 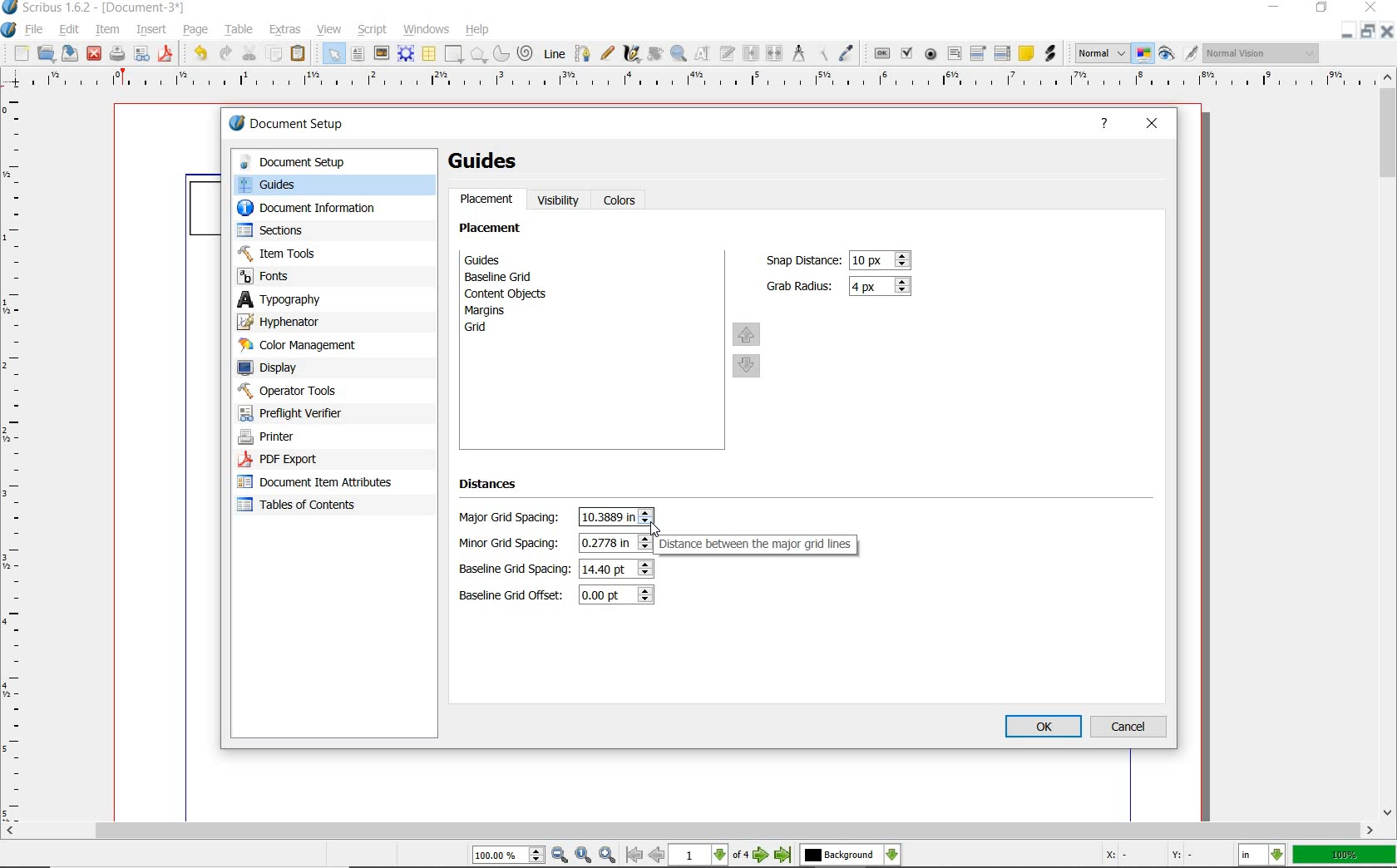 I want to click on item tools, so click(x=324, y=253).